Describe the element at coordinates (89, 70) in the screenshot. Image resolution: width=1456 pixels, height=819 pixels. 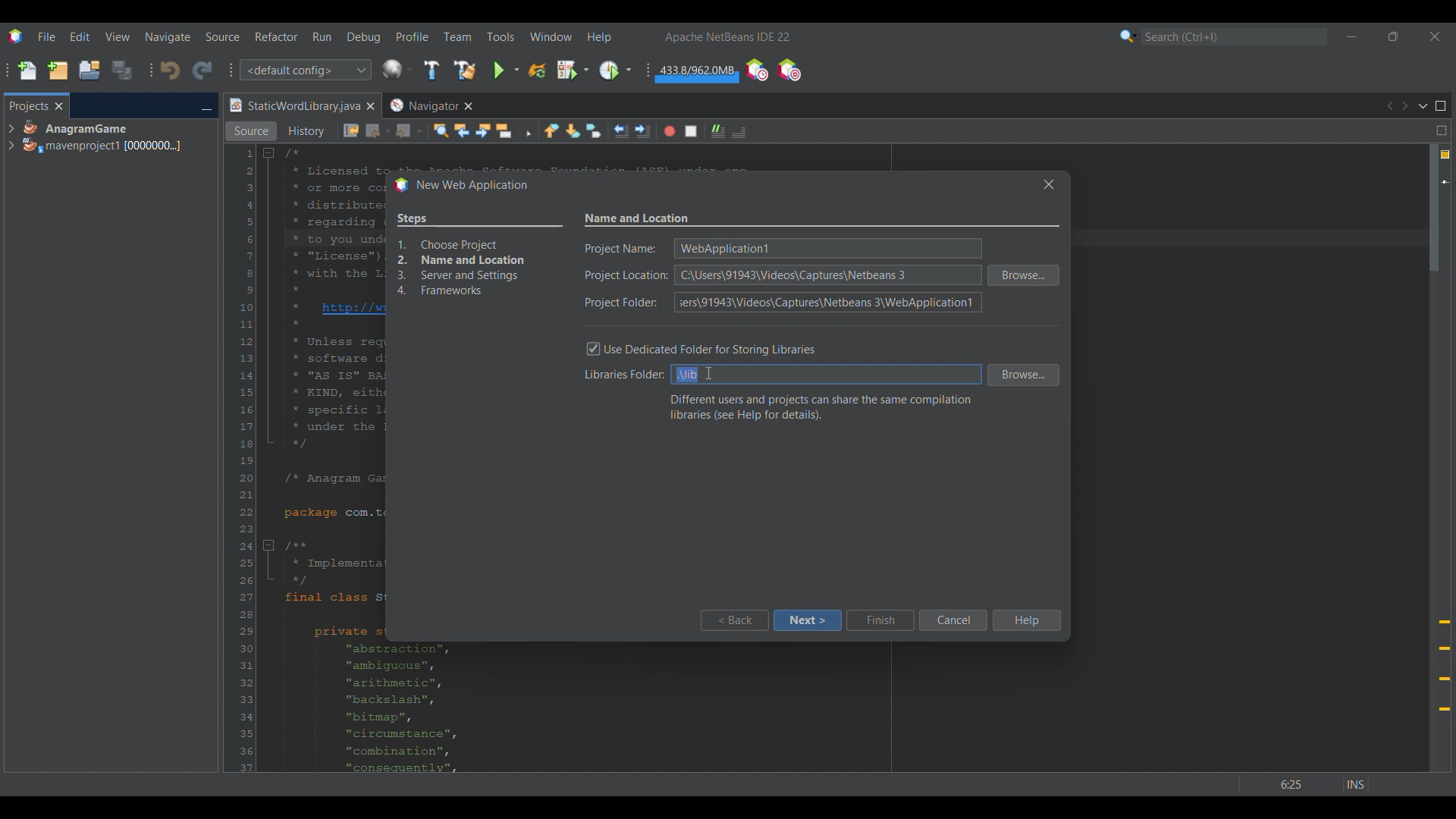
I see `Open project` at that location.